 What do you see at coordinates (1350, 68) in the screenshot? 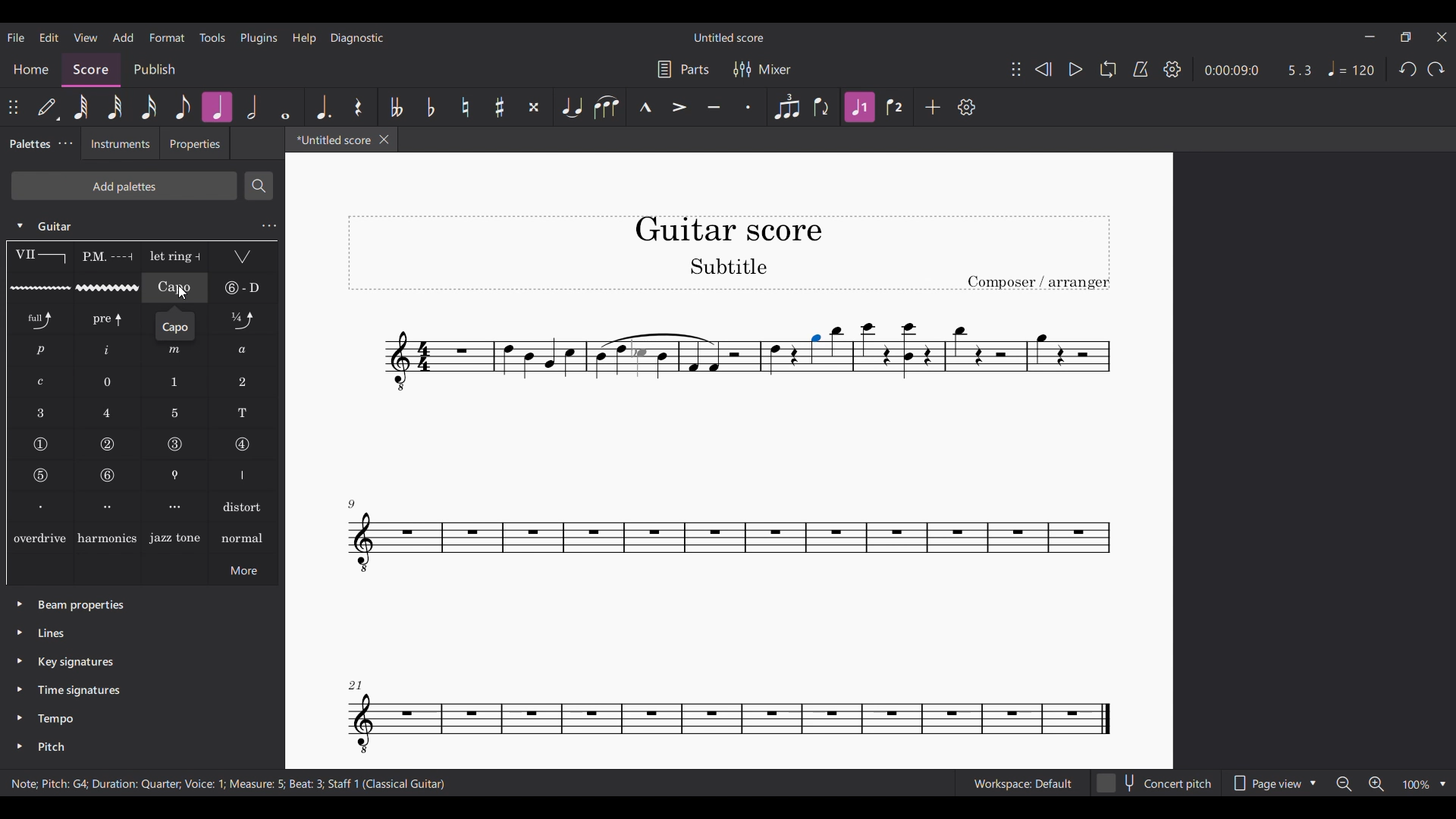
I see `Tempo` at bounding box center [1350, 68].